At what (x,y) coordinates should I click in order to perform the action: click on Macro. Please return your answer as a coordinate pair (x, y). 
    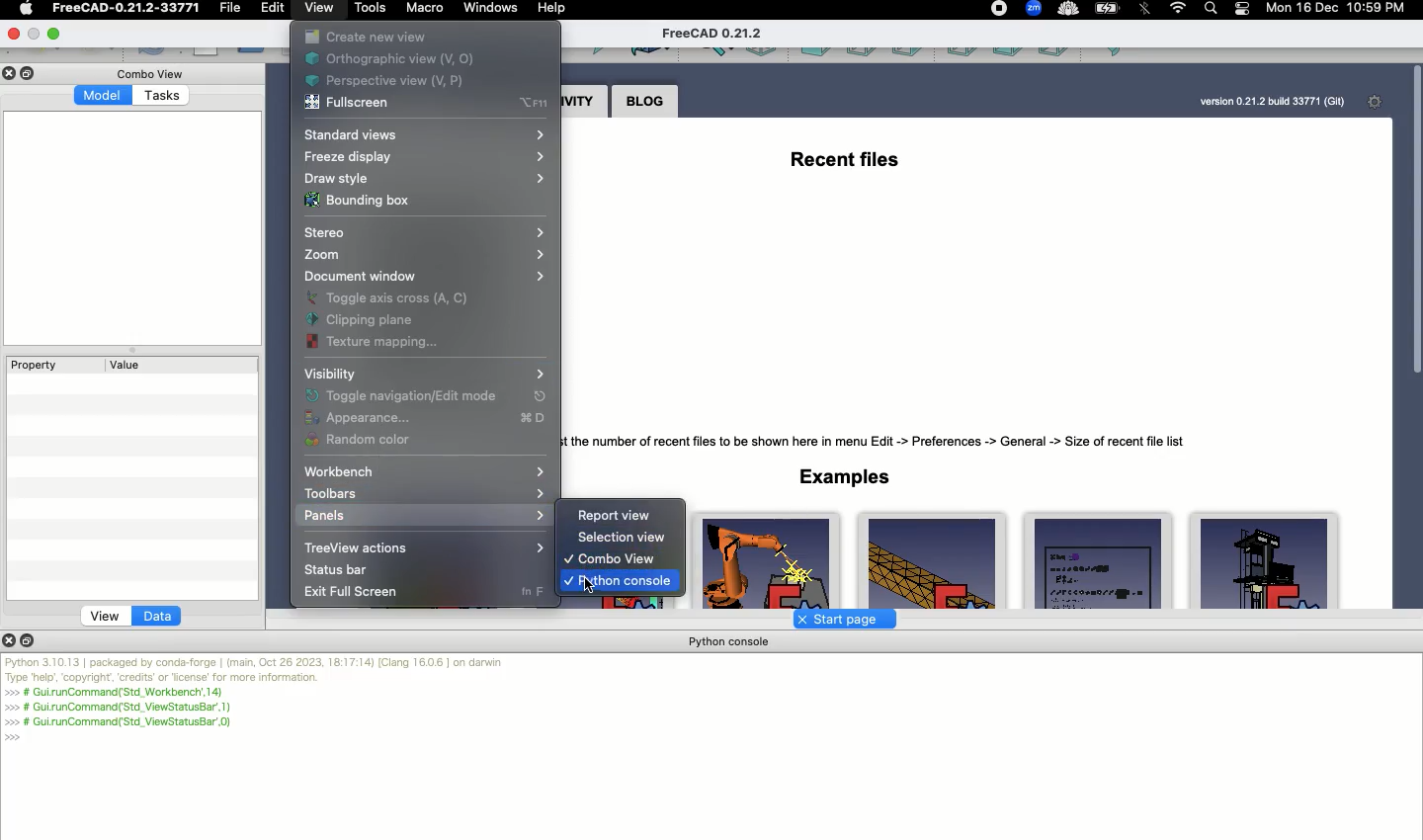
    Looking at the image, I should click on (426, 9).